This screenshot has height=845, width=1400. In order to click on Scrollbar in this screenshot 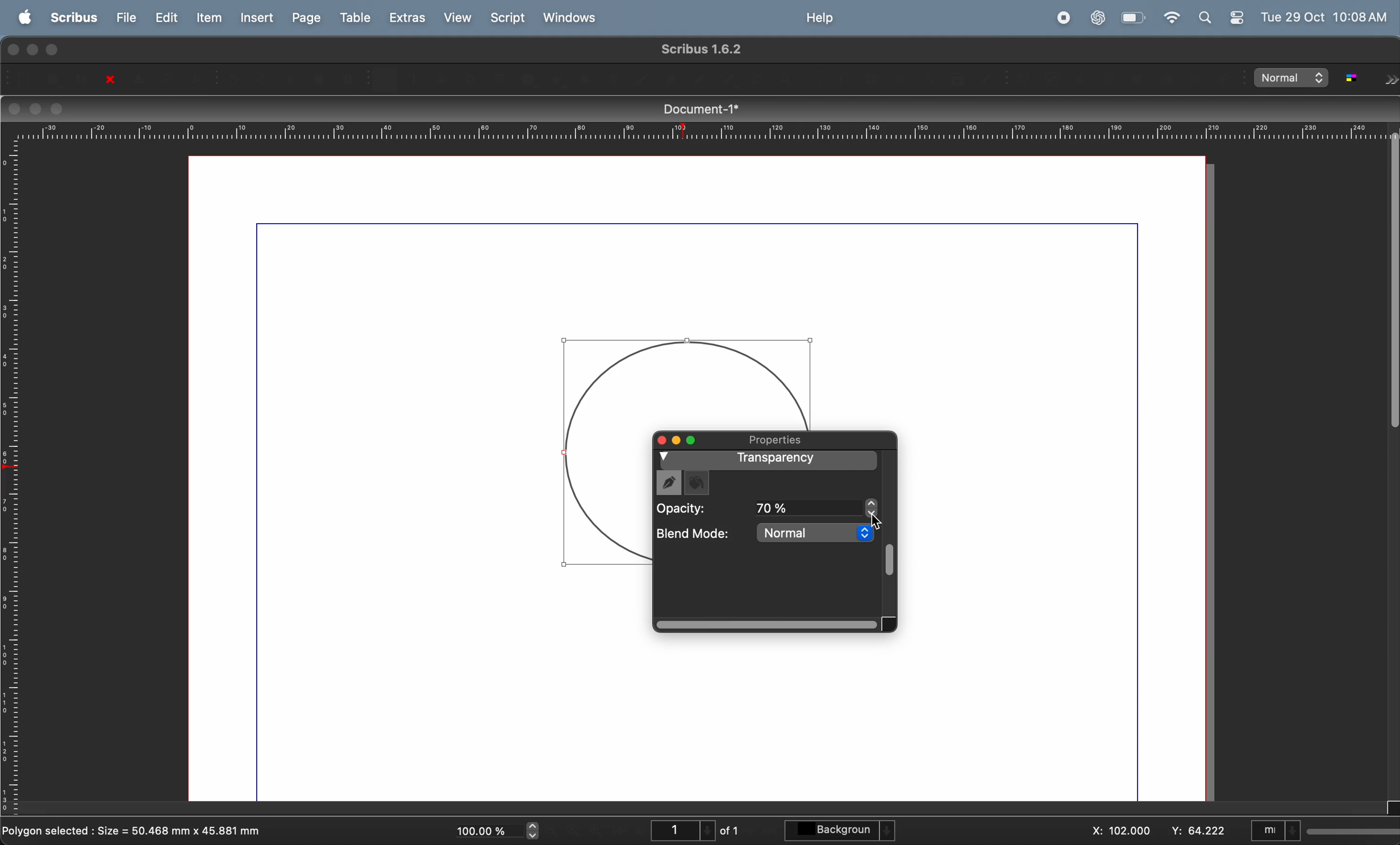, I will do `click(1391, 276)`.